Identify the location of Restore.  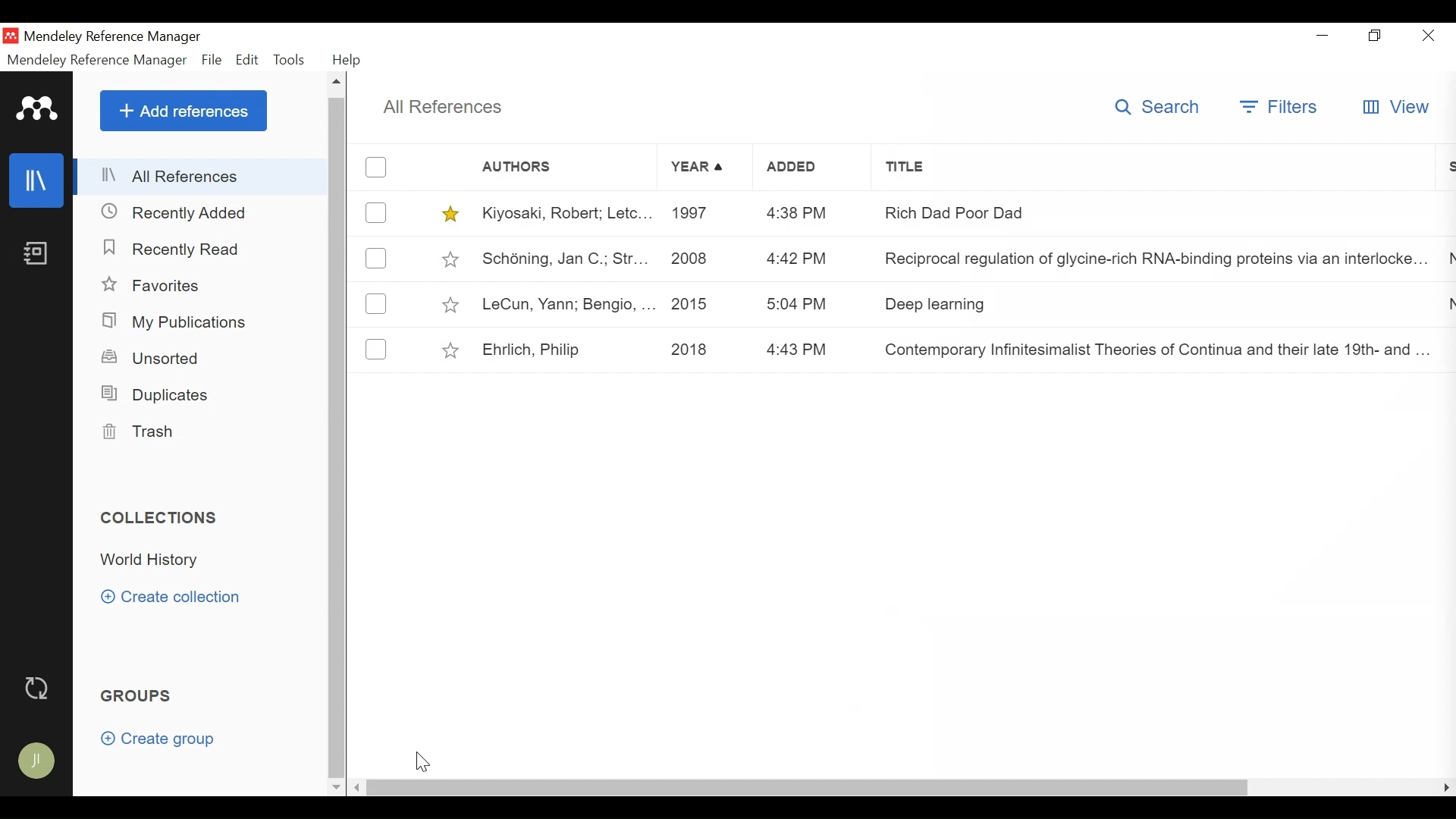
(1375, 37).